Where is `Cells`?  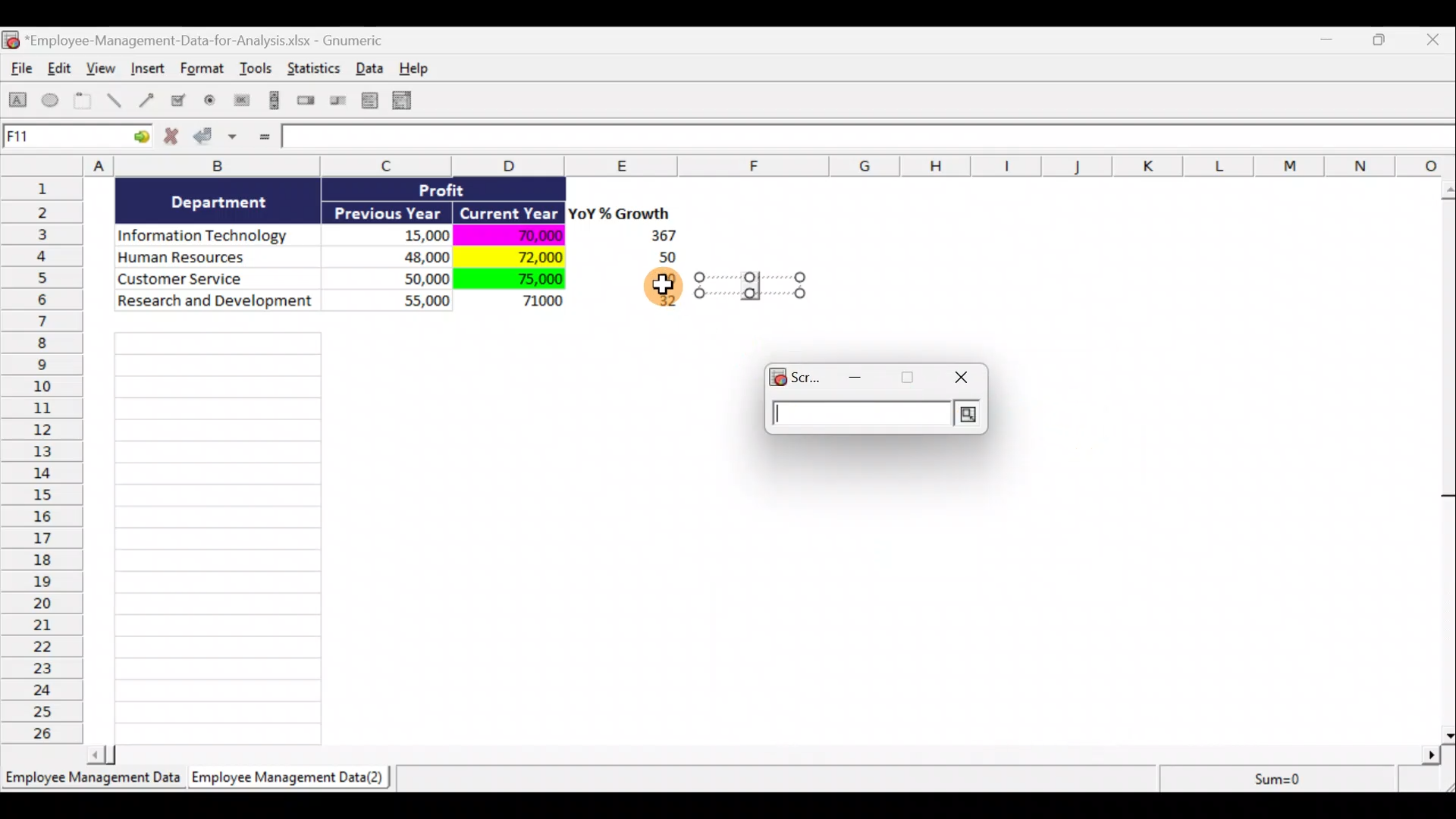 Cells is located at coordinates (218, 534).